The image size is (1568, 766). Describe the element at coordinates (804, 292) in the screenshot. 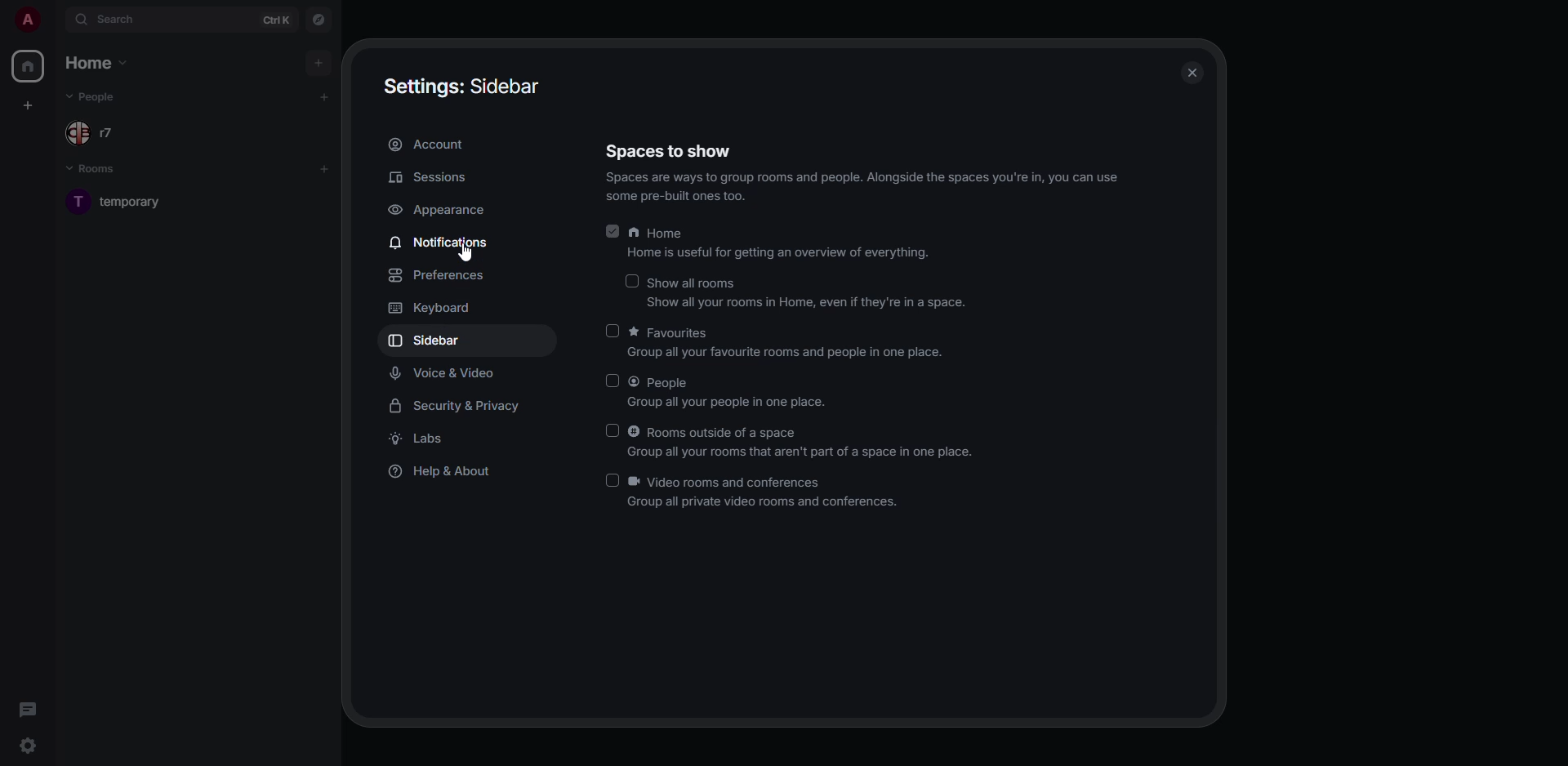

I see `show all rooms` at that location.